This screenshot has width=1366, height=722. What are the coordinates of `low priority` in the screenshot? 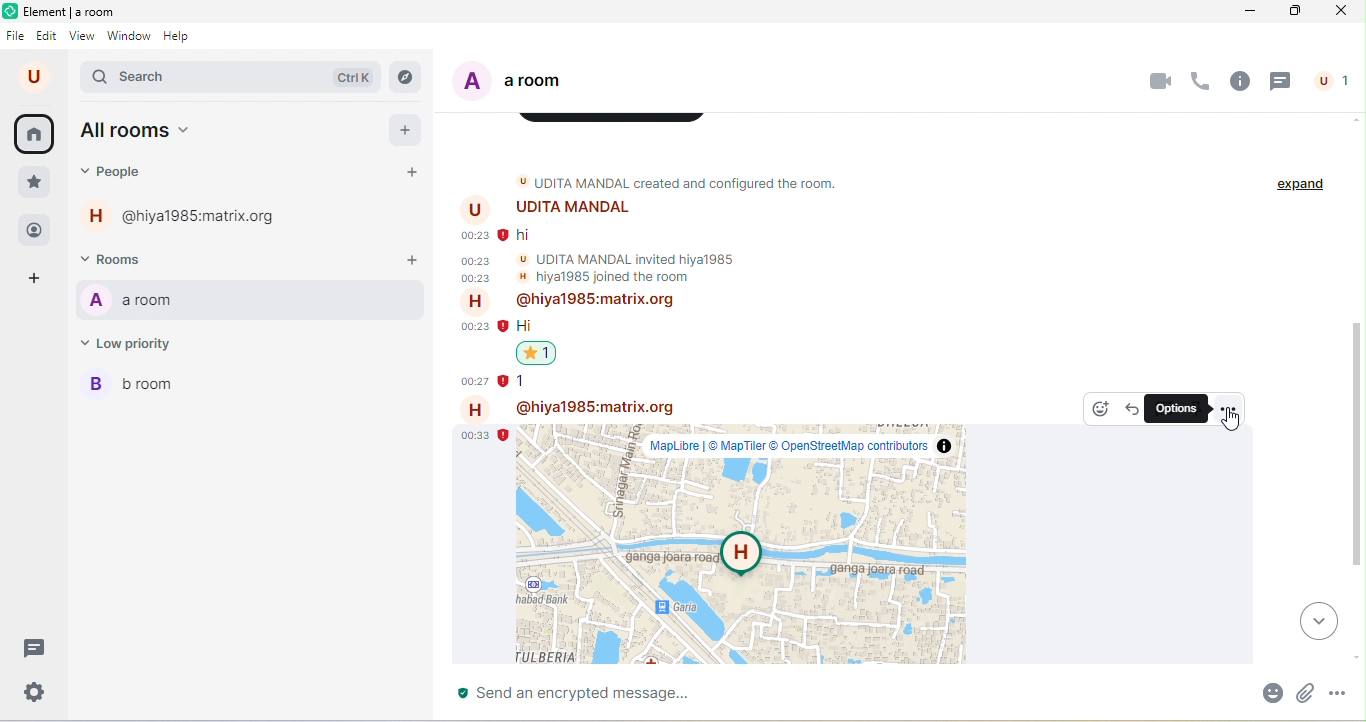 It's located at (131, 342).